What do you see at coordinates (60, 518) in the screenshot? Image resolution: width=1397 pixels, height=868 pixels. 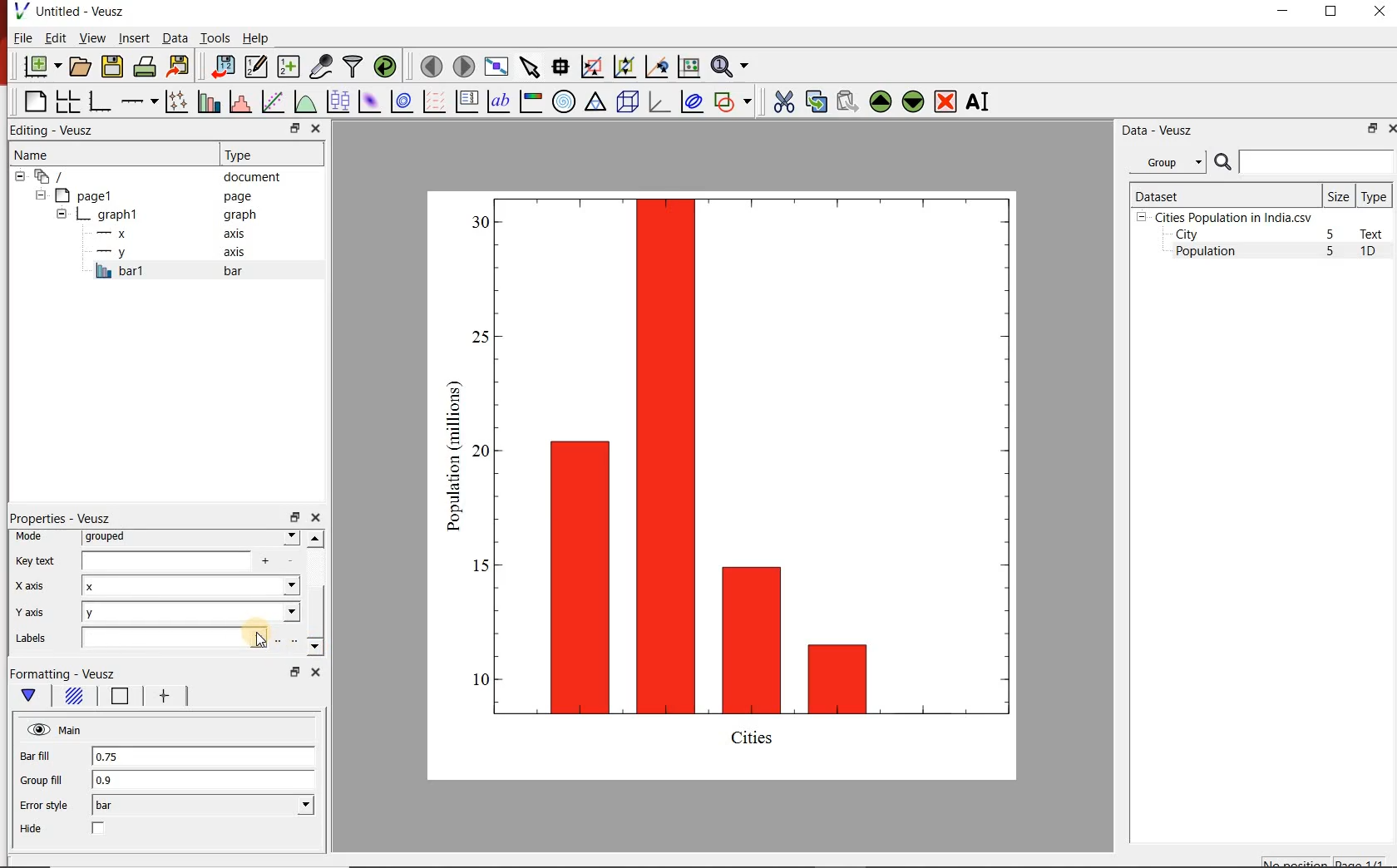 I see `Properties - Veusz` at bounding box center [60, 518].